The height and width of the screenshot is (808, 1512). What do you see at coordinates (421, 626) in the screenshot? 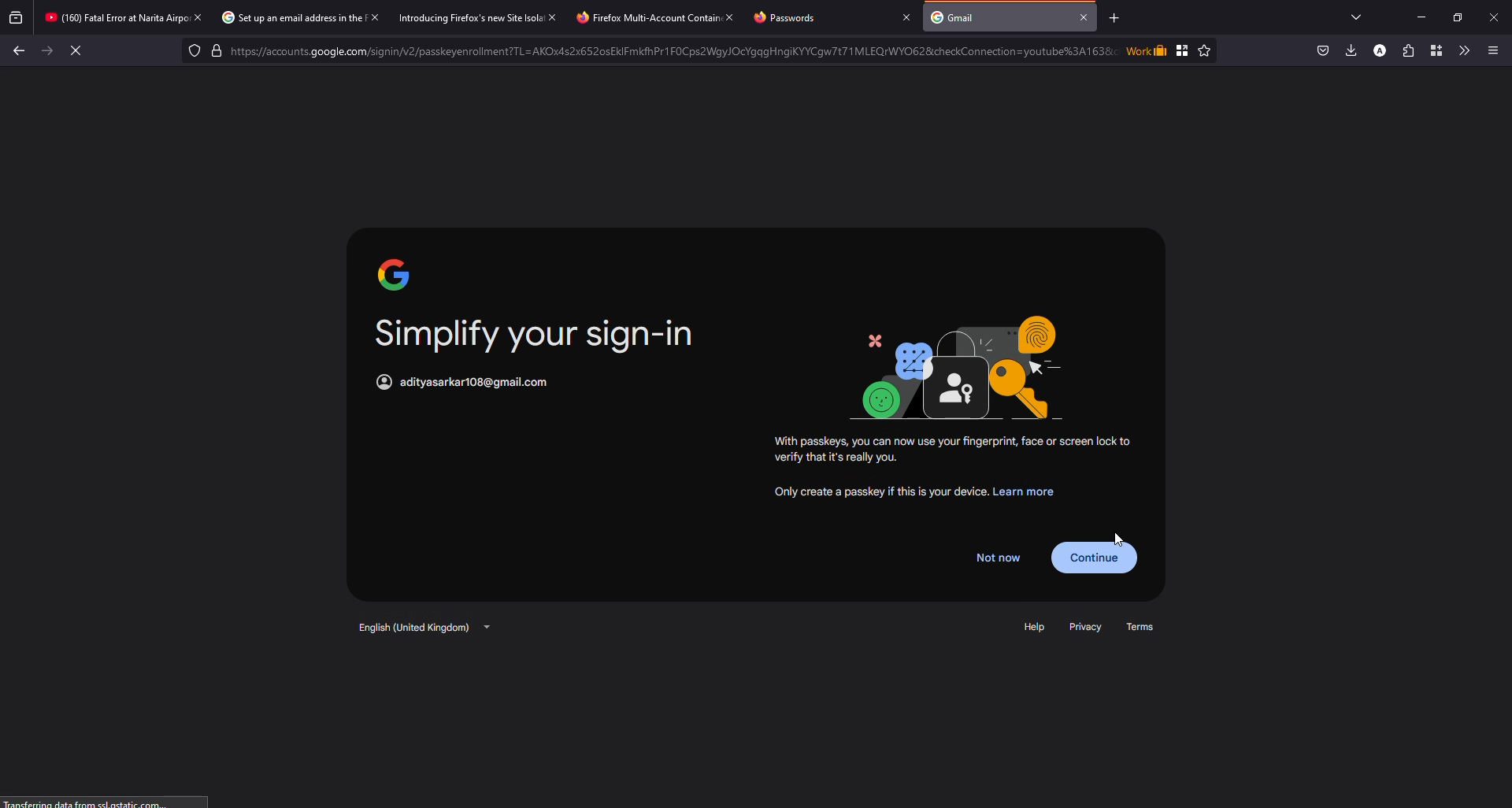
I see `English` at bounding box center [421, 626].